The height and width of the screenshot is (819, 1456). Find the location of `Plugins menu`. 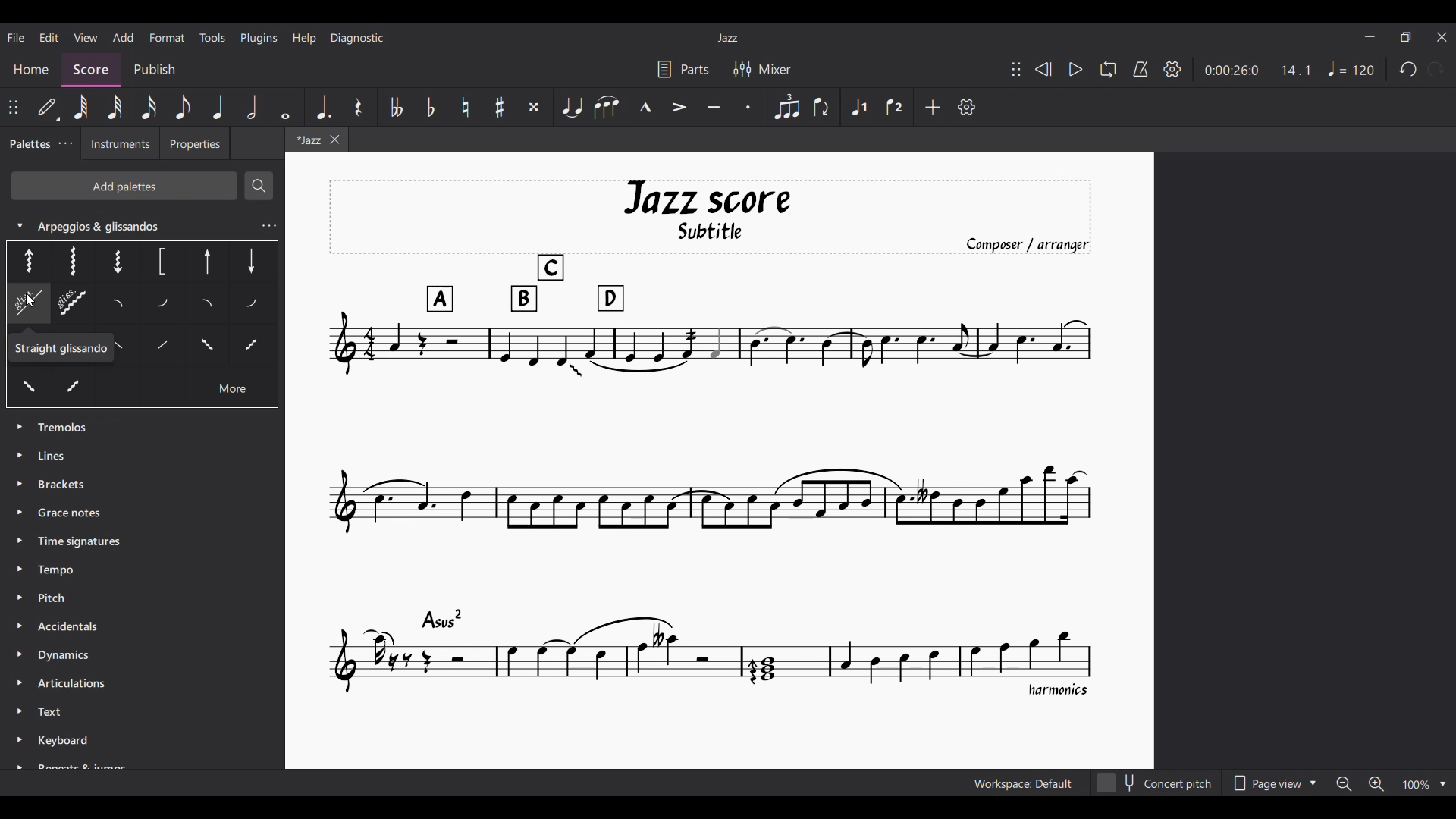

Plugins menu is located at coordinates (259, 39).